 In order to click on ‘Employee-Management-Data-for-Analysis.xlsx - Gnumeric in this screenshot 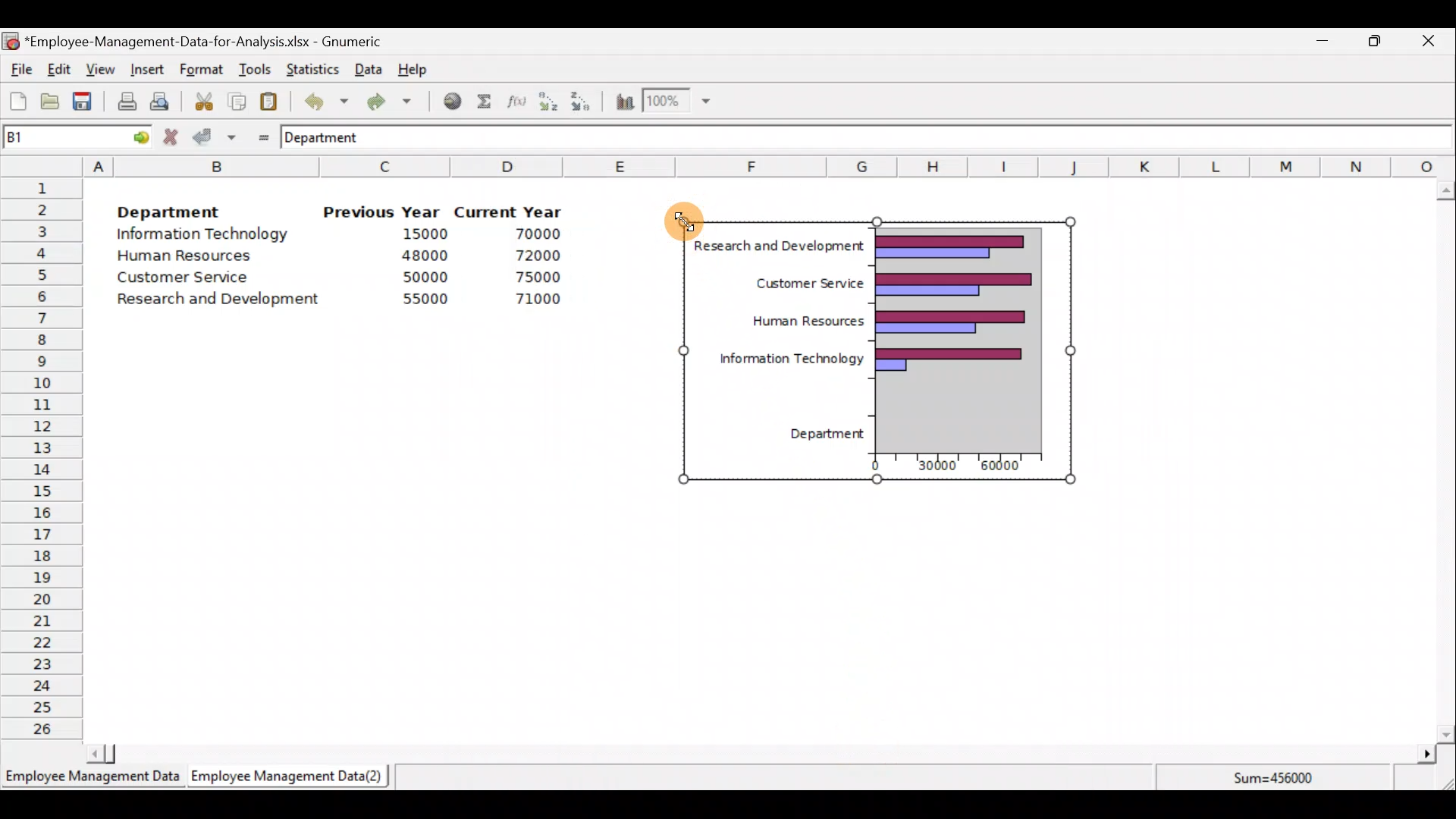, I will do `click(208, 40)`.